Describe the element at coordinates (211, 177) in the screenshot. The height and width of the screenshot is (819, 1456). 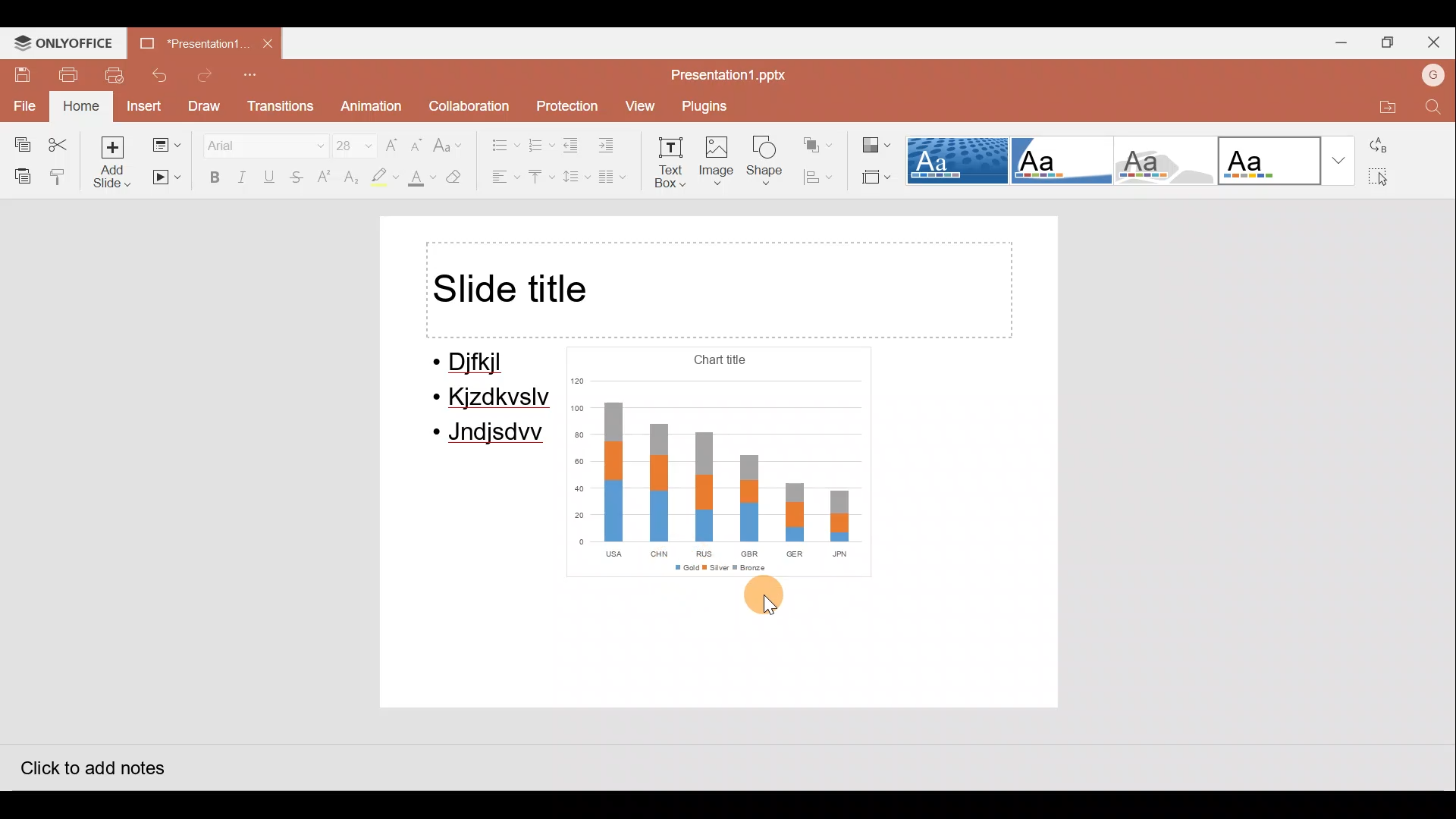
I see `Bold` at that location.